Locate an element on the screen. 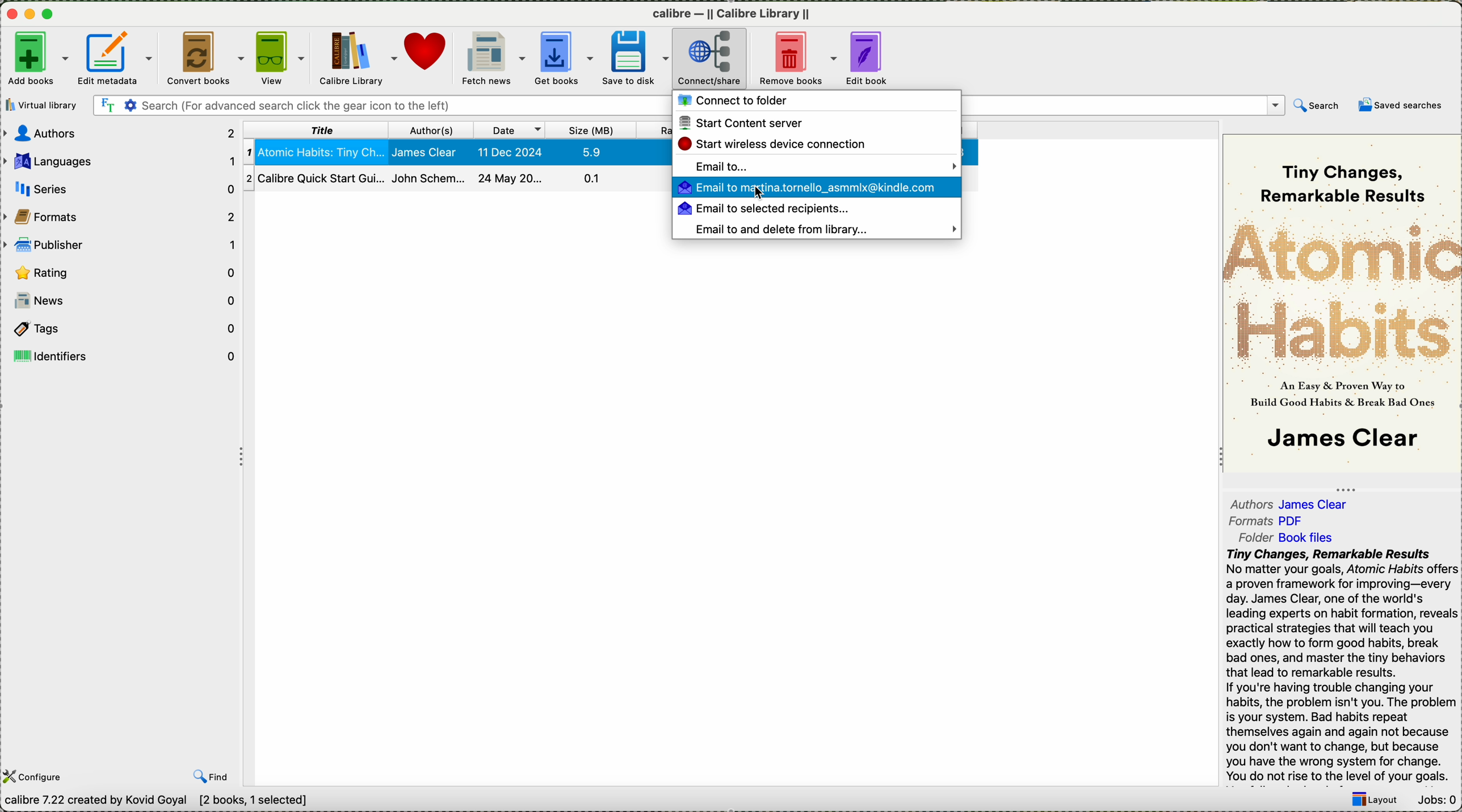  size is located at coordinates (592, 129).